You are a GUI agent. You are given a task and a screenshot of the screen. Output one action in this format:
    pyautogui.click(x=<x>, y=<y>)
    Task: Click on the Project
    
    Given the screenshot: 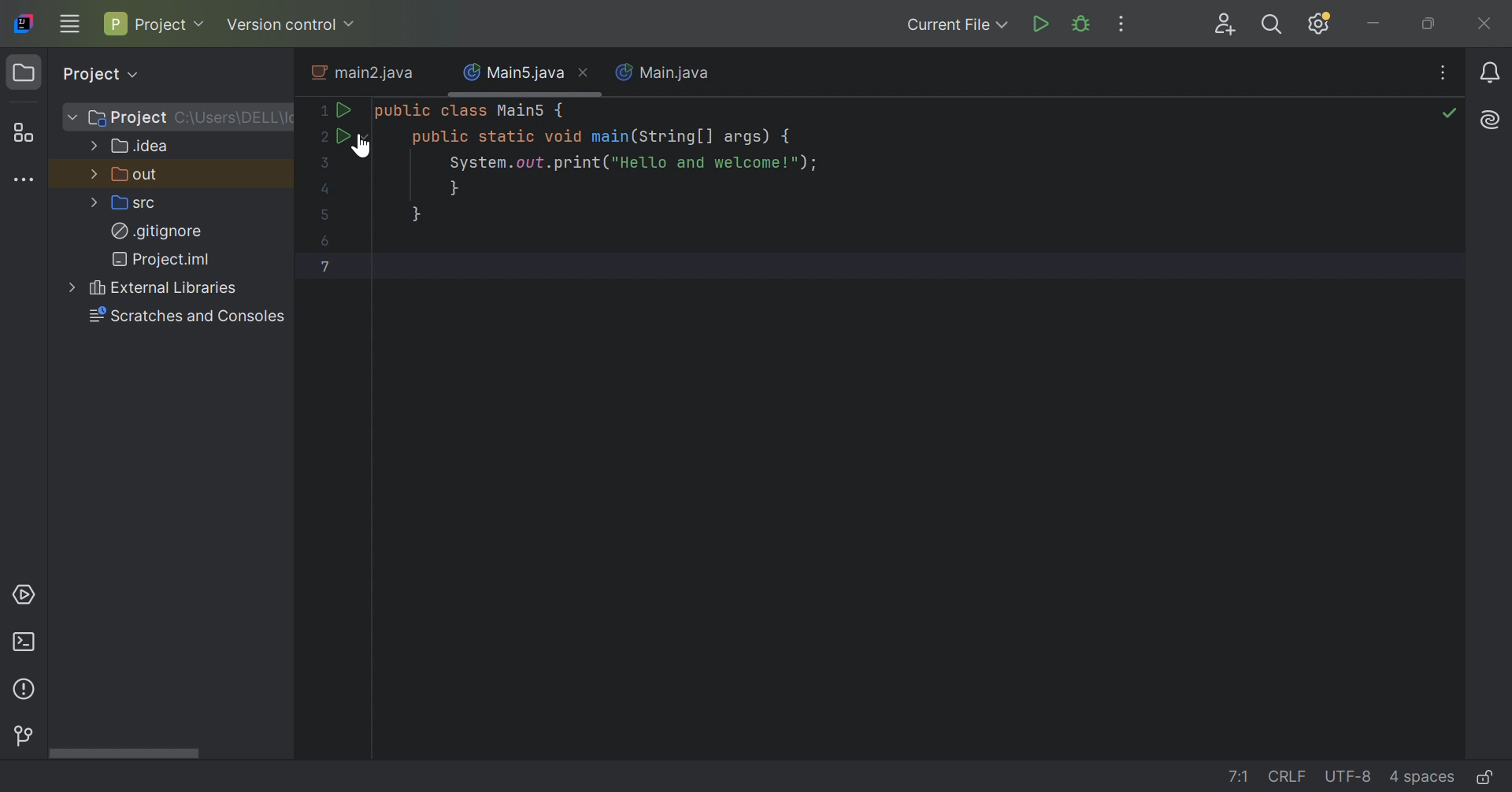 What is the action you would take?
    pyautogui.click(x=154, y=24)
    